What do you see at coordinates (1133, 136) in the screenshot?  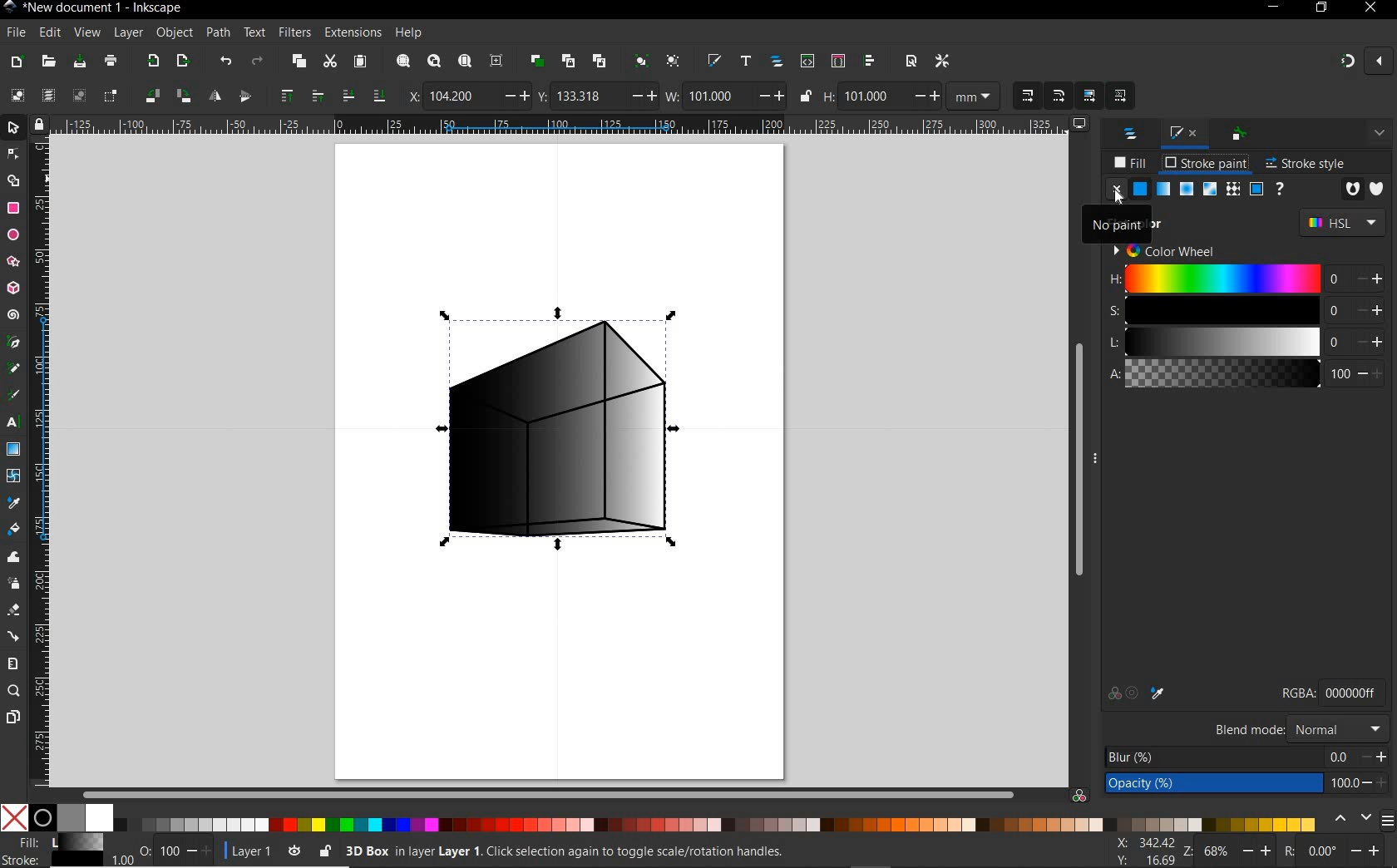 I see `LAYERS AND OBJECTS` at bounding box center [1133, 136].